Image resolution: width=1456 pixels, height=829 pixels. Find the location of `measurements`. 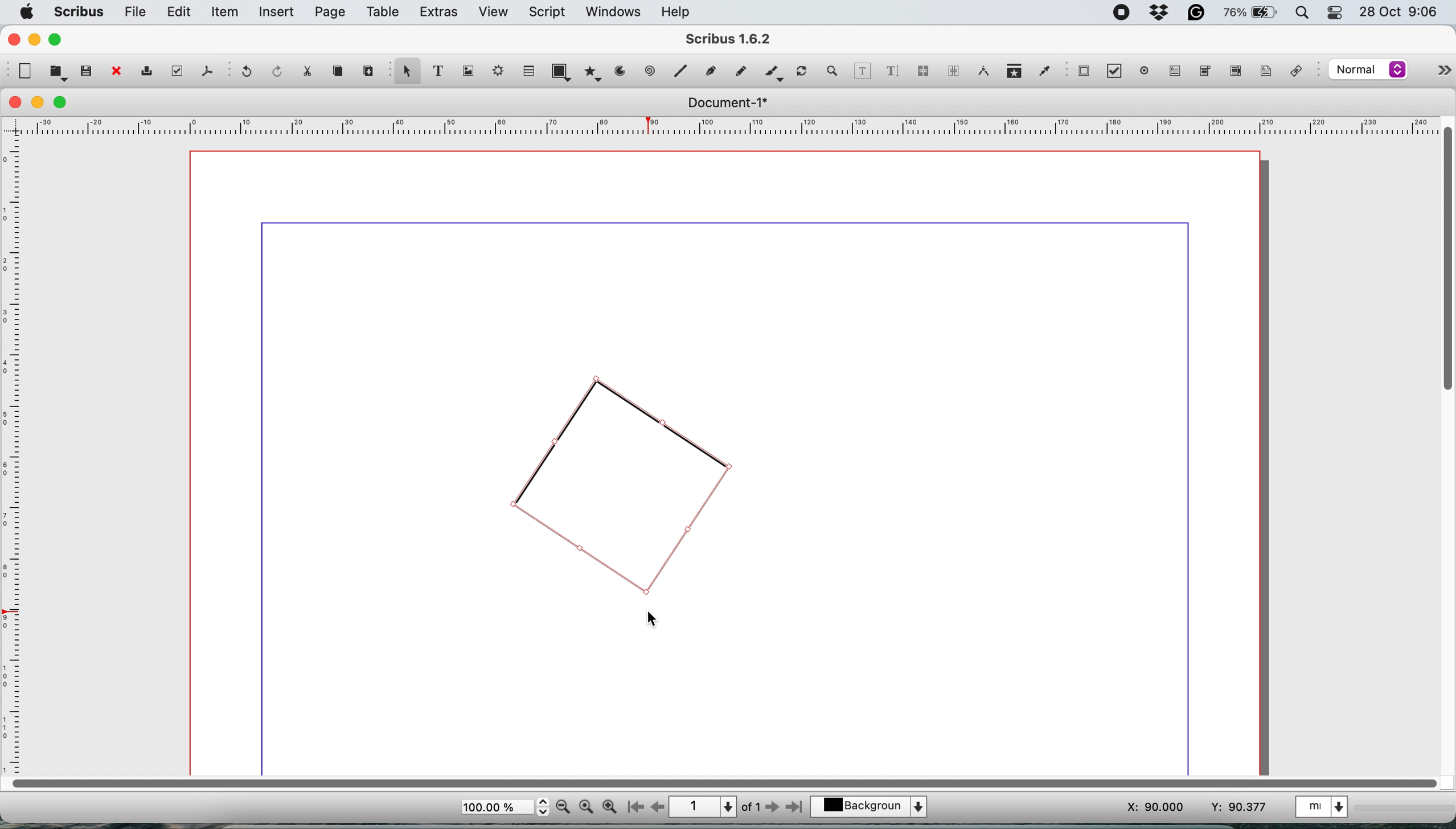

measurements is located at coordinates (982, 72).